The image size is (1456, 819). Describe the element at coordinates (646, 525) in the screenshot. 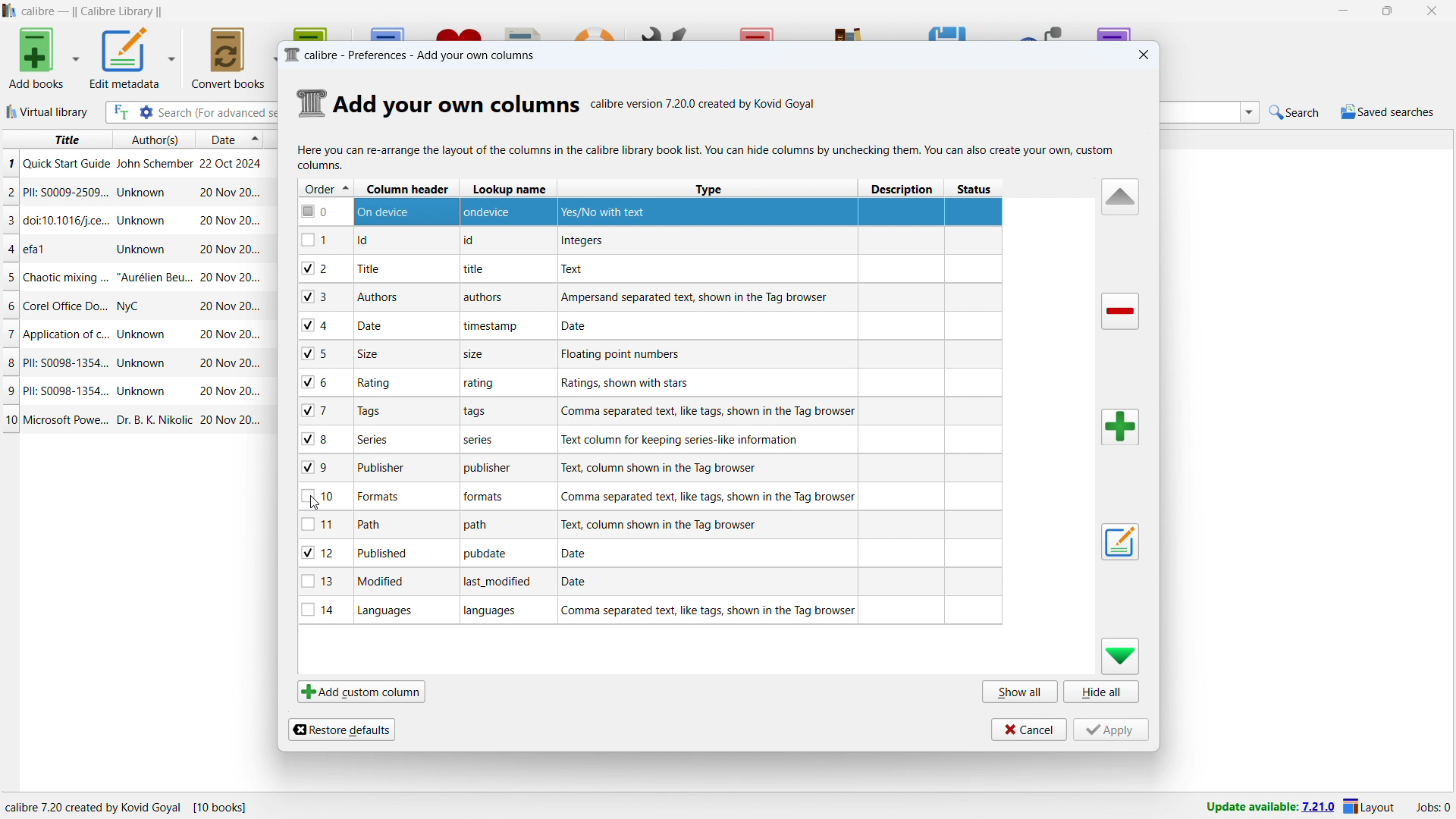

I see `1 Path path Text, column shown in the Tag browser` at that location.